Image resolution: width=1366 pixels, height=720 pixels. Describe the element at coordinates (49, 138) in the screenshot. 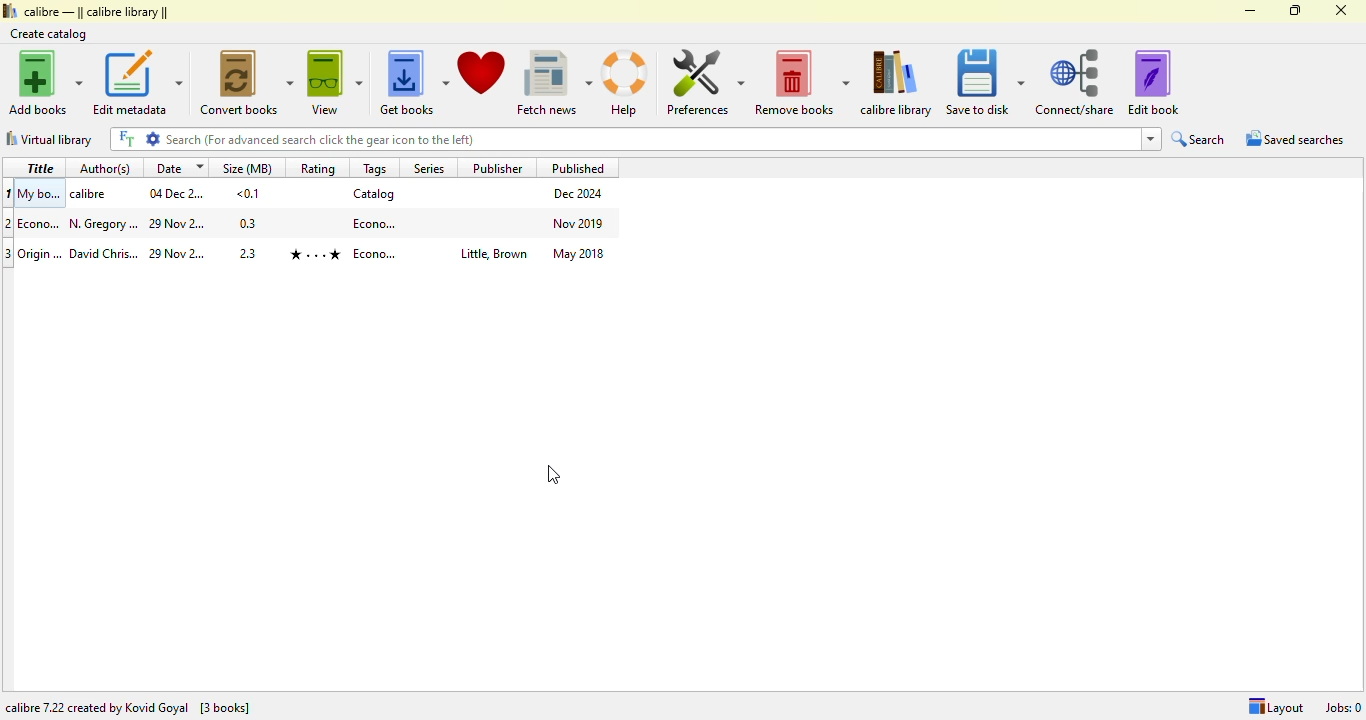

I see `virtual library` at that location.